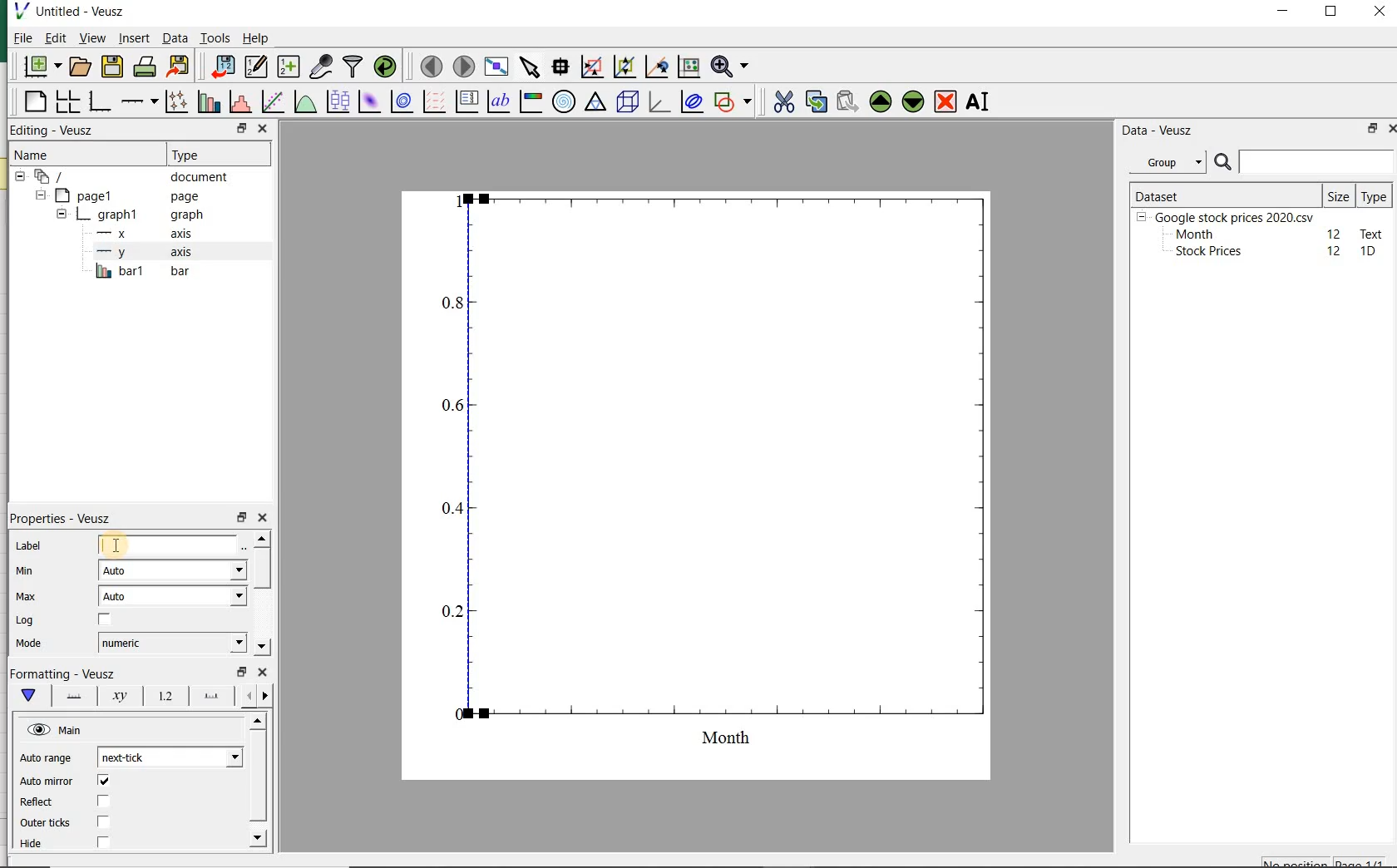  I want to click on close , so click(1396, 129).